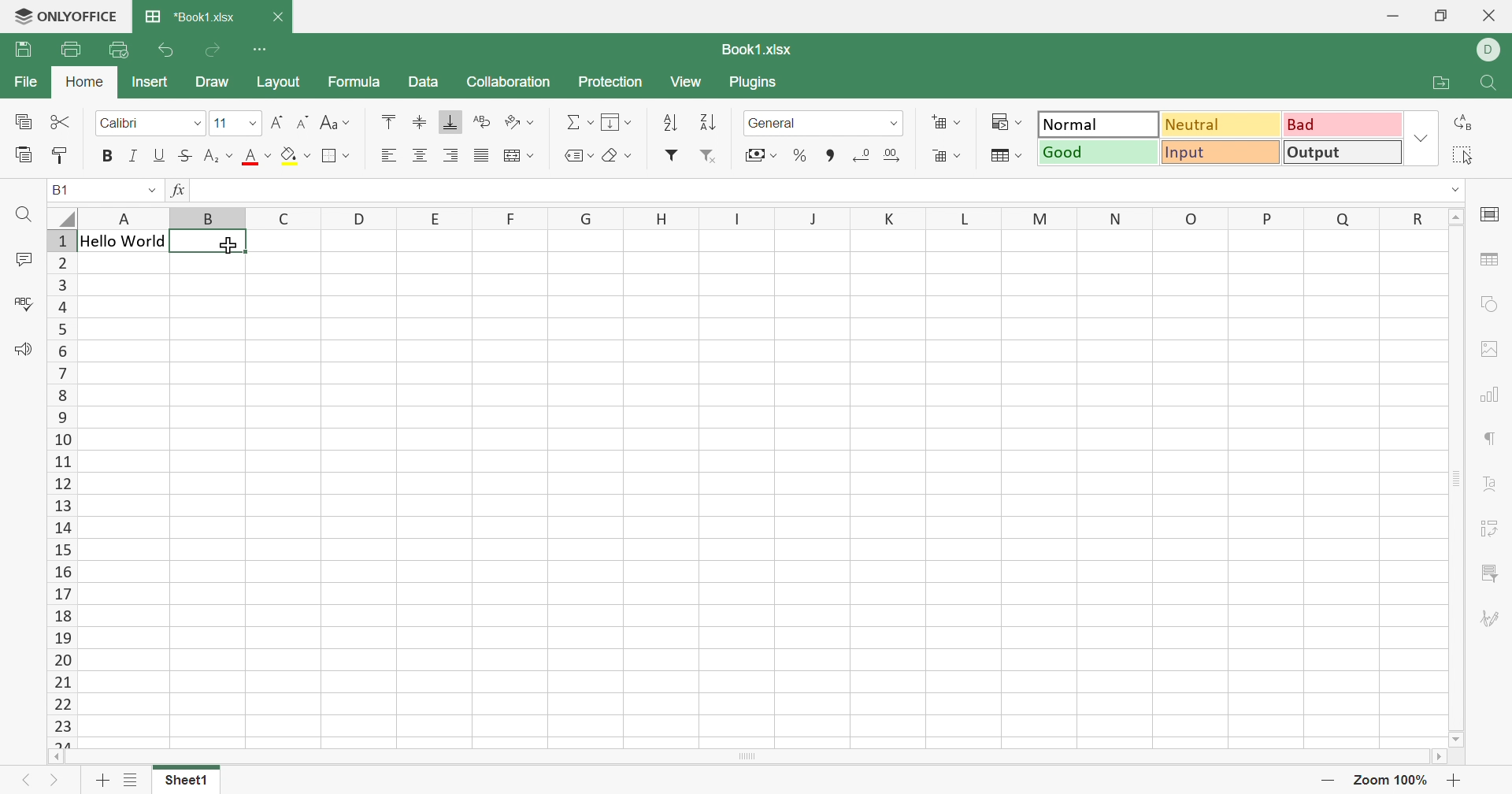 This screenshot has width=1512, height=794. What do you see at coordinates (450, 155) in the screenshot?
I see `Align right` at bounding box center [450, 155].